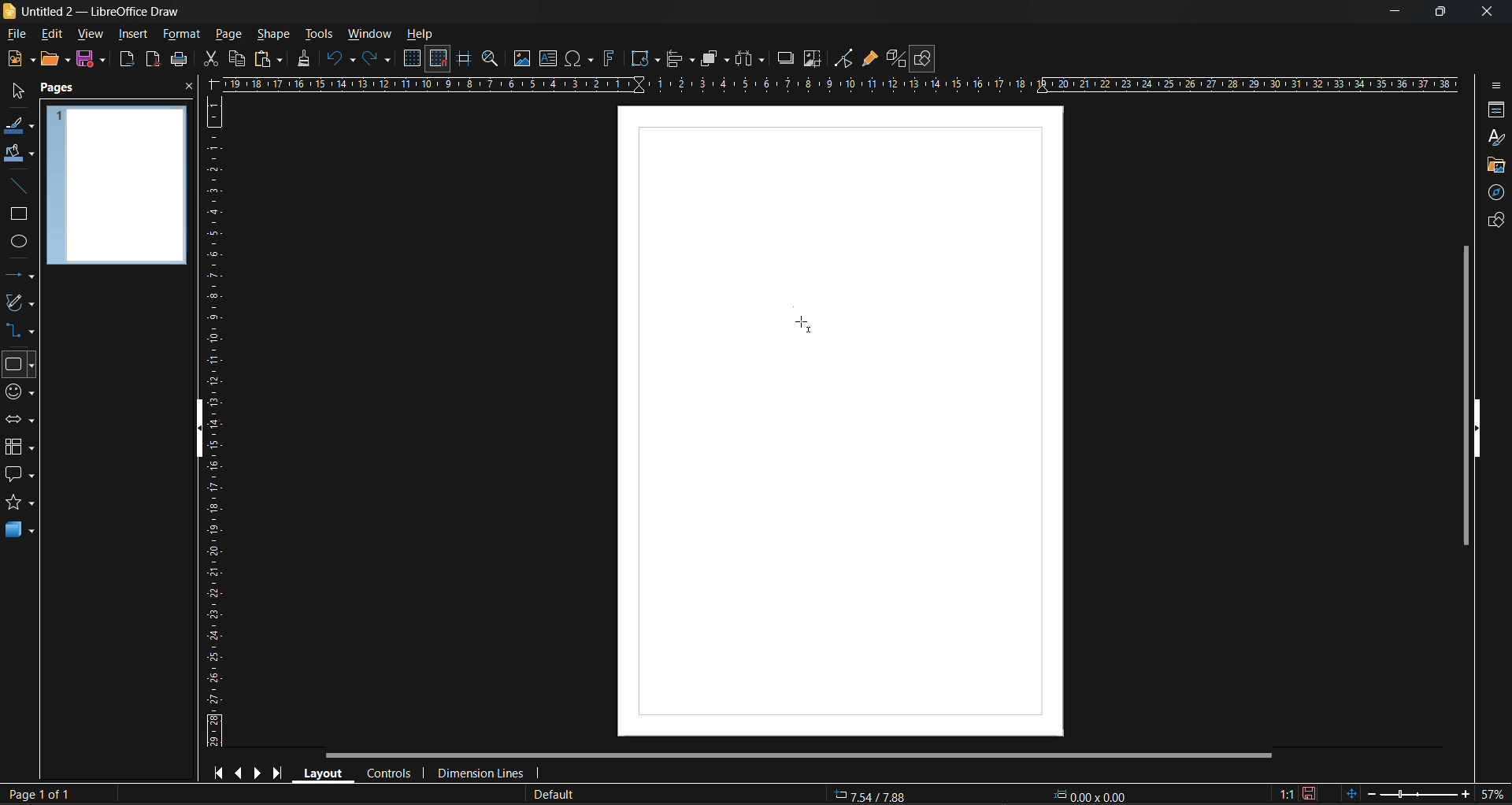 The image size is (1512, 805). Describe the element at coordinates (1288, 795) in the screenshot. I see `scaling factor` at that location.